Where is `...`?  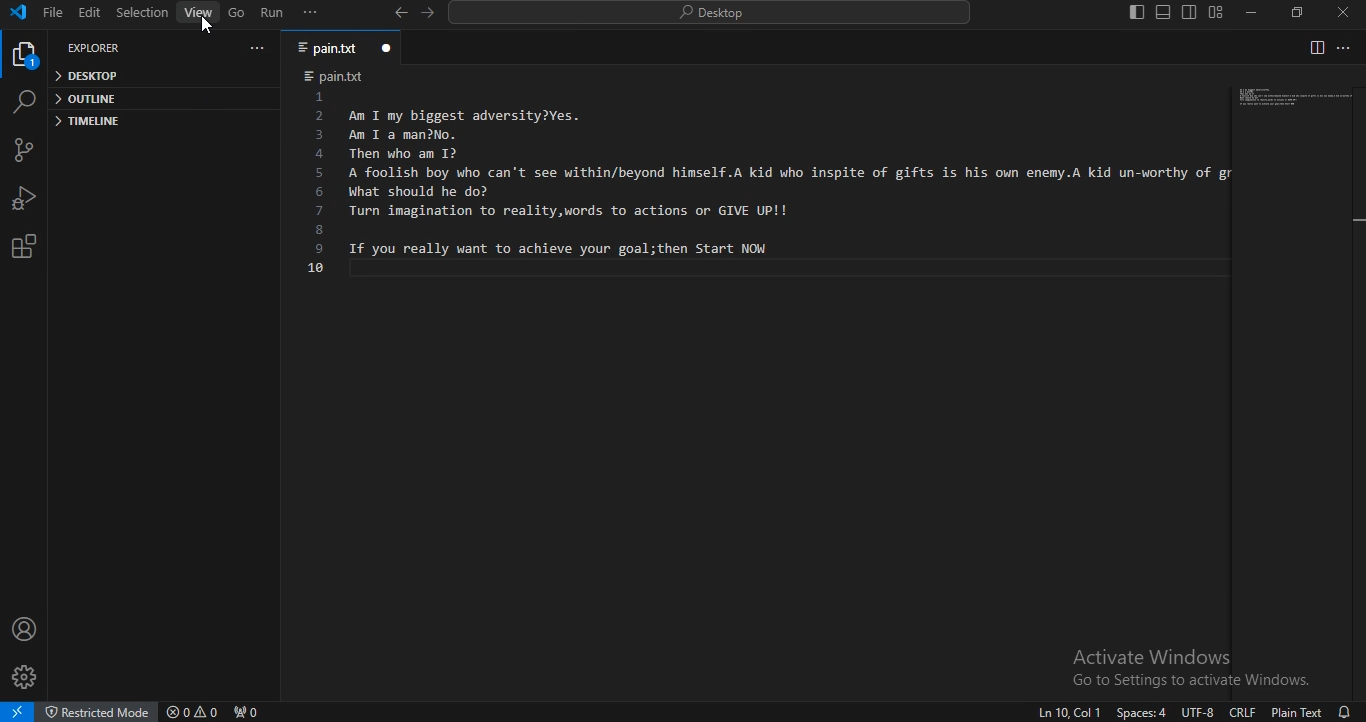 ... is located at coordinates (259, 48).